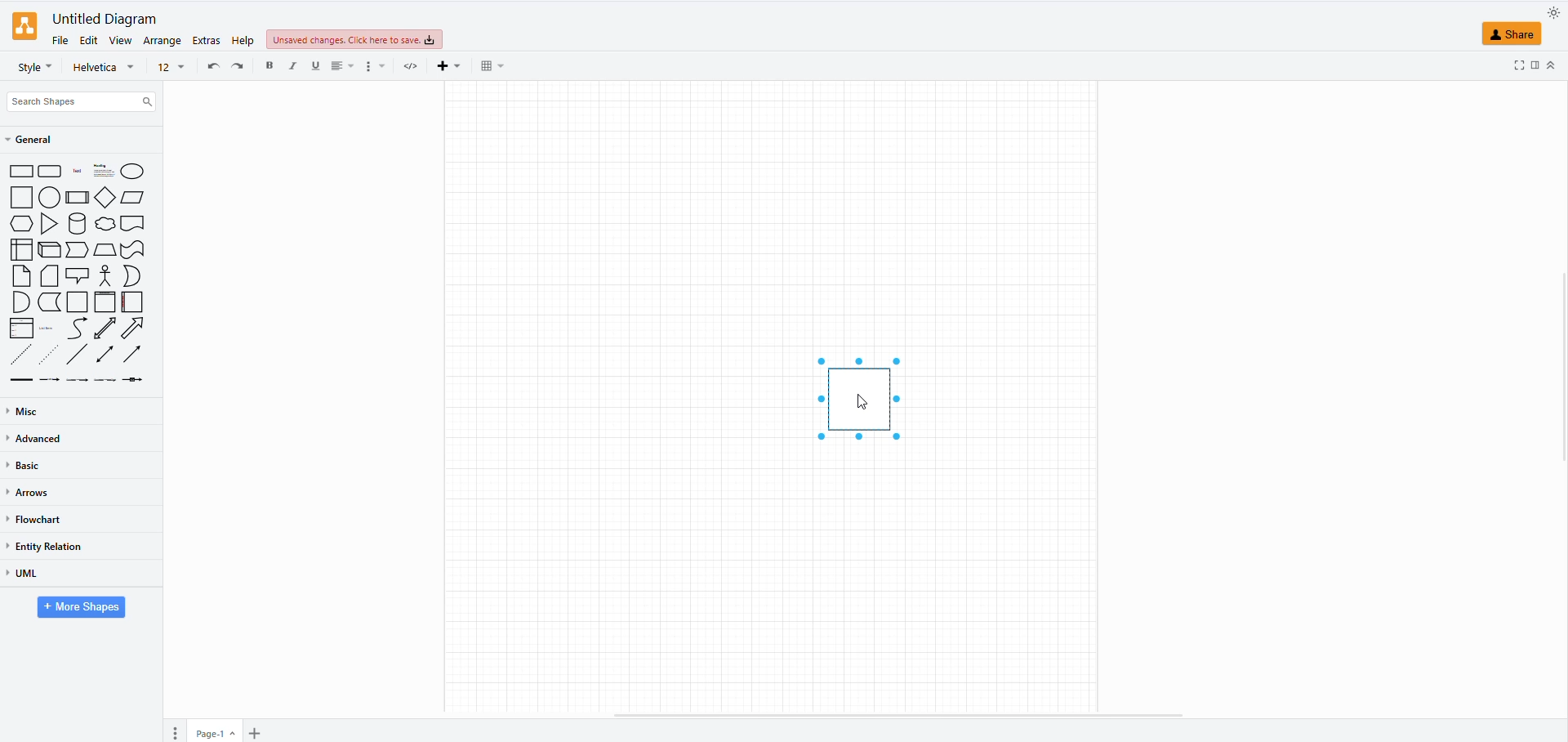 This screenshot has height=742, width=1568. What do you see at coordinates (105, 224) in the screenshot?
I see `cloud` at bounding box center [105, 224].